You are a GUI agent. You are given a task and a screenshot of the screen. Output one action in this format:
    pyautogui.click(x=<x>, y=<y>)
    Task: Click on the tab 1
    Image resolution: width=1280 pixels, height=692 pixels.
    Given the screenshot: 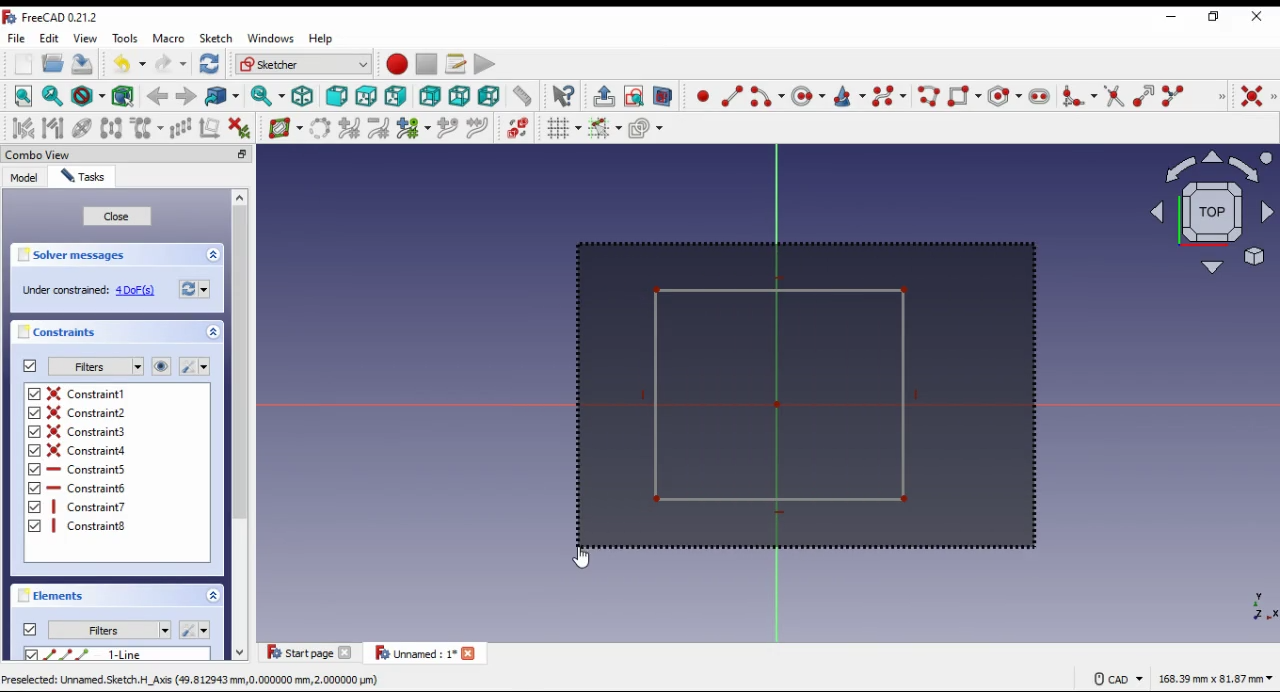 What is the action you would take?
    pyautogui.click(x=311, y=652)
    